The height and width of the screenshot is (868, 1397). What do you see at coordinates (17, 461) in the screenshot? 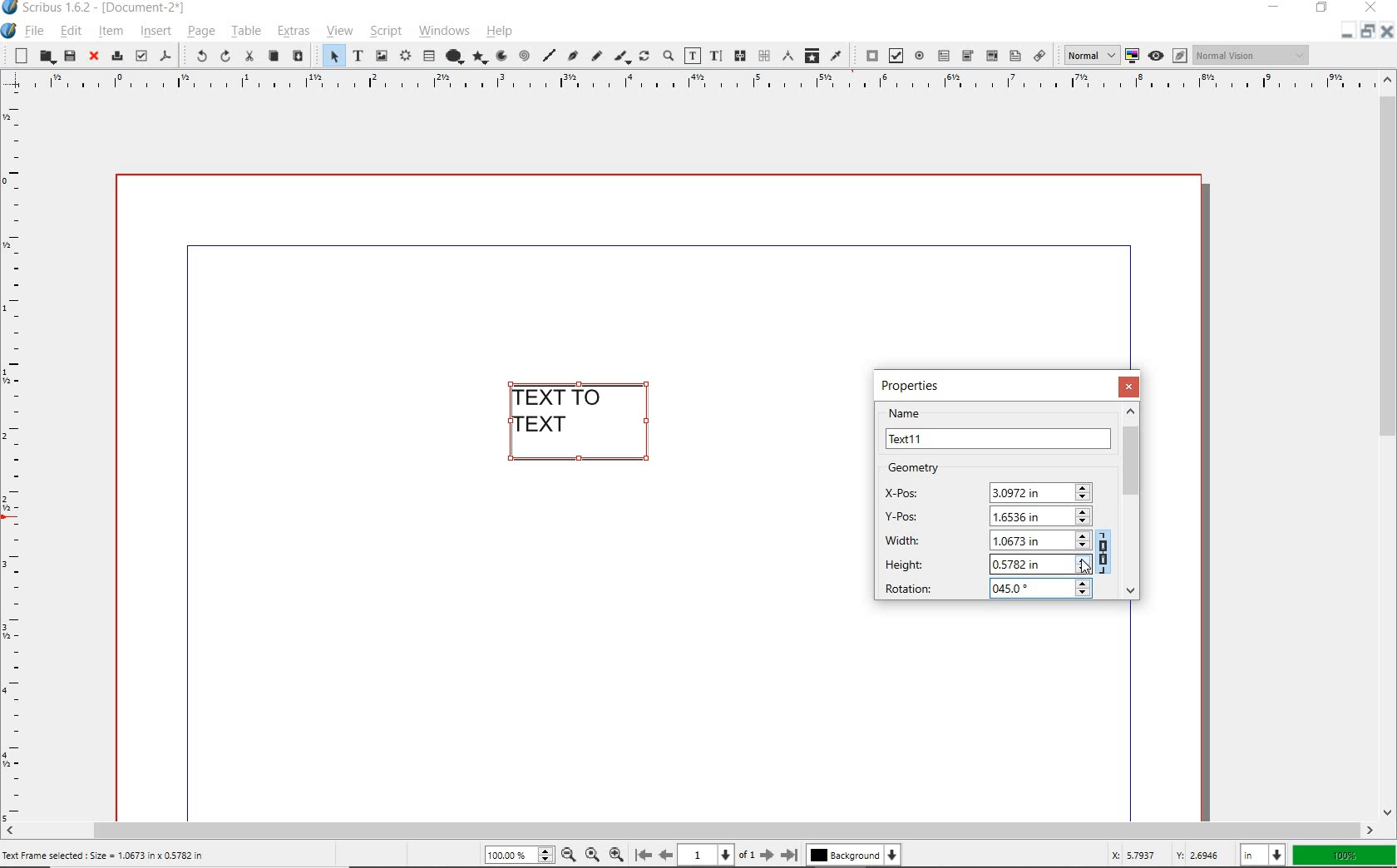
I see `ruler` at bounding box center [17, 461].